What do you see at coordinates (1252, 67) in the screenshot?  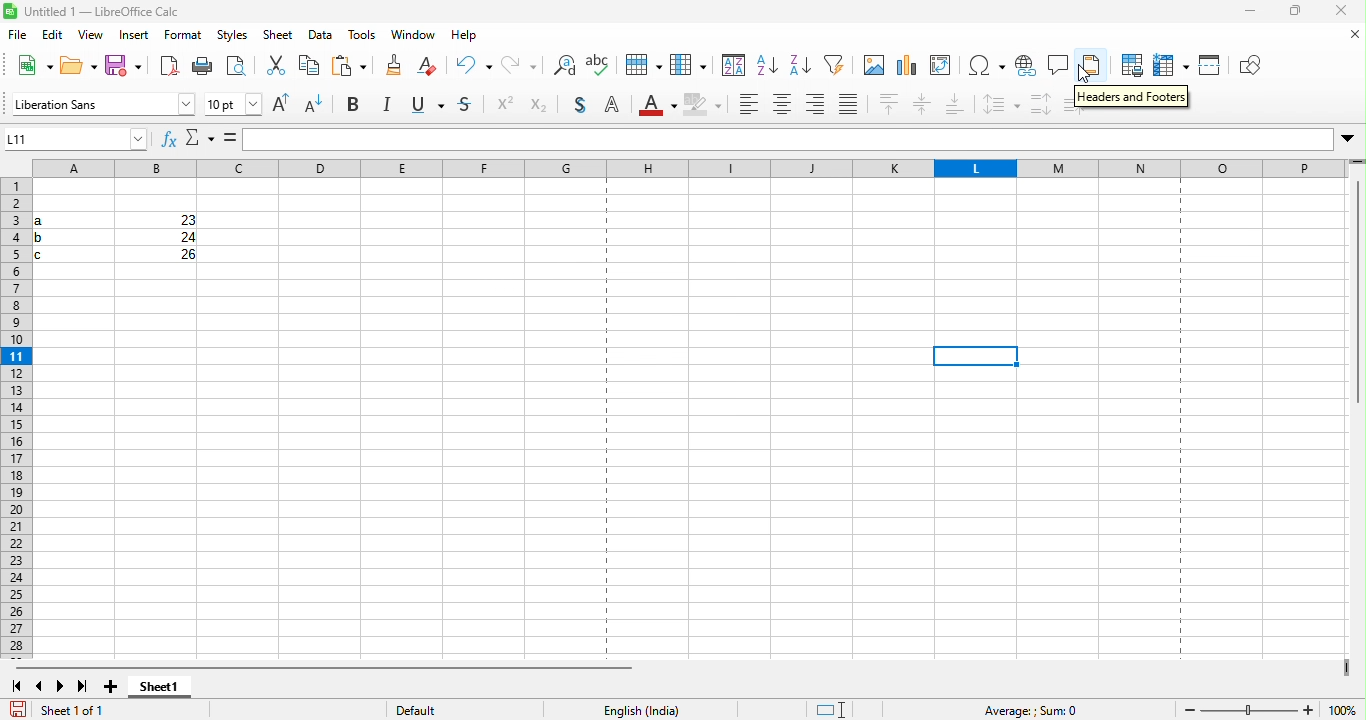 I see `show draw function` at bounding box center [1252, 67].